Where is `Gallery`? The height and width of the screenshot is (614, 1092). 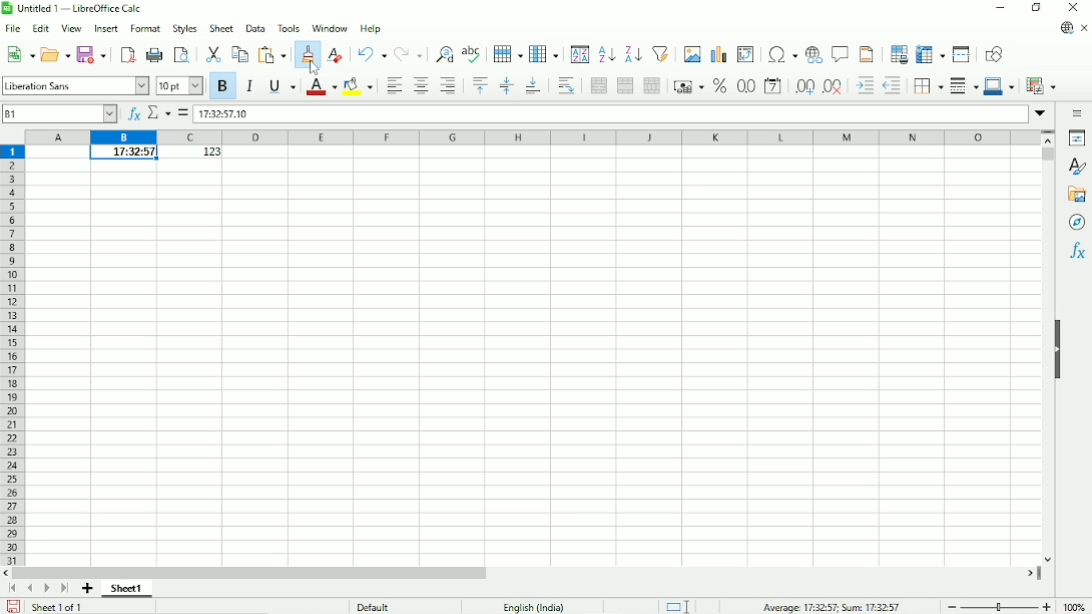 Gallery is located at coordinates (1075, 195).